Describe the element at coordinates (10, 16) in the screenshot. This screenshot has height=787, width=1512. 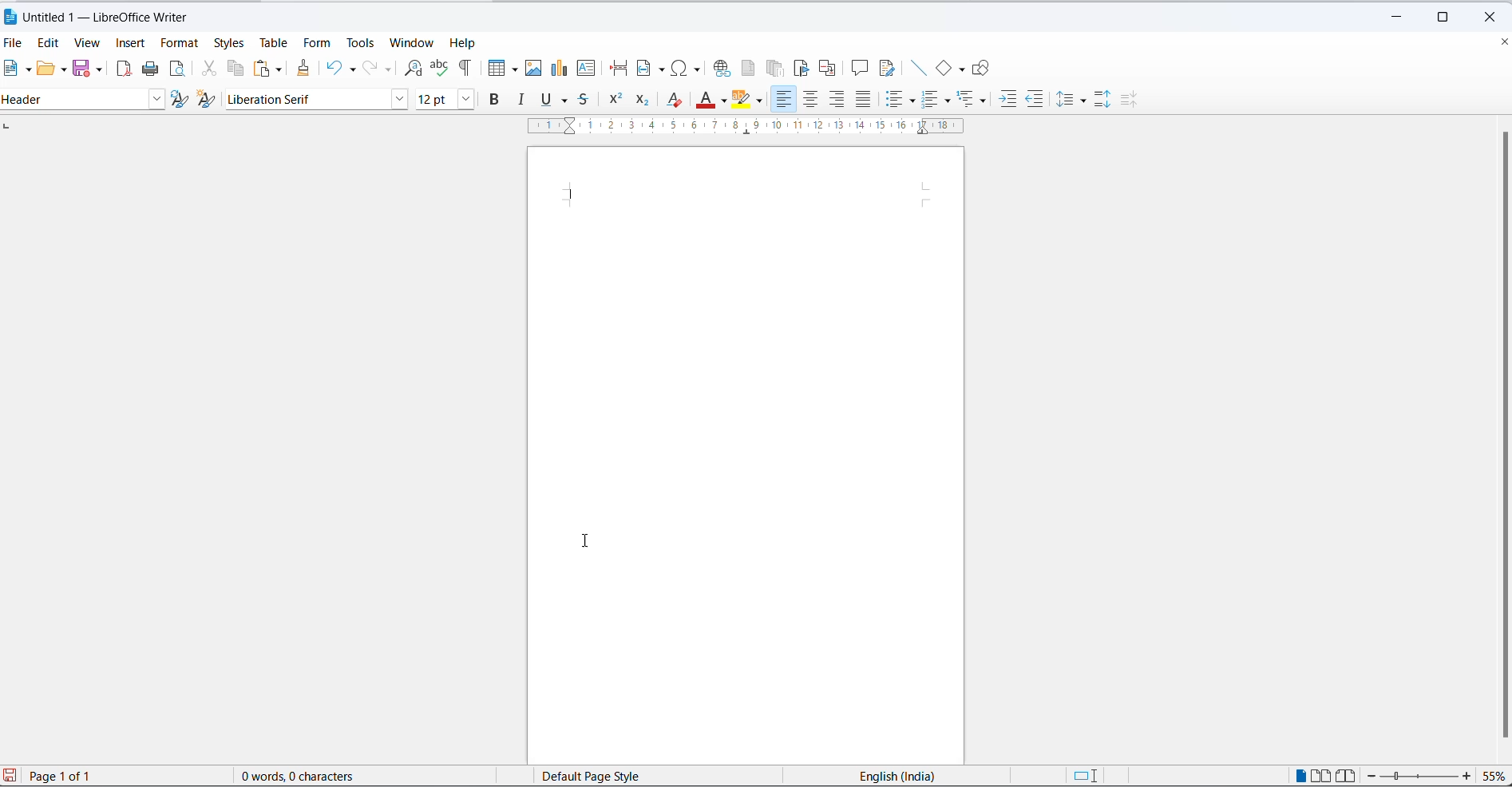
I see `LibreOffice Icon` at that location.